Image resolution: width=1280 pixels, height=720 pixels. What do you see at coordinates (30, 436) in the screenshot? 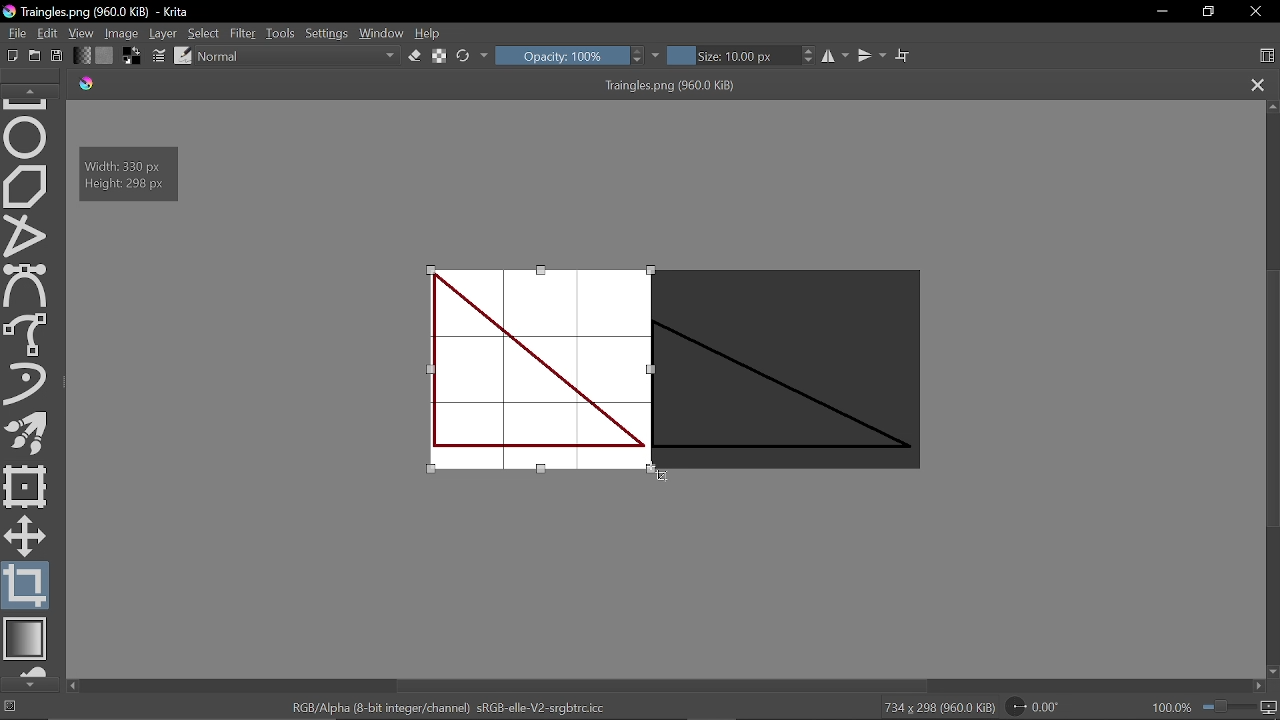
I see `Multibrush tool` at bounding box center [30, 436].